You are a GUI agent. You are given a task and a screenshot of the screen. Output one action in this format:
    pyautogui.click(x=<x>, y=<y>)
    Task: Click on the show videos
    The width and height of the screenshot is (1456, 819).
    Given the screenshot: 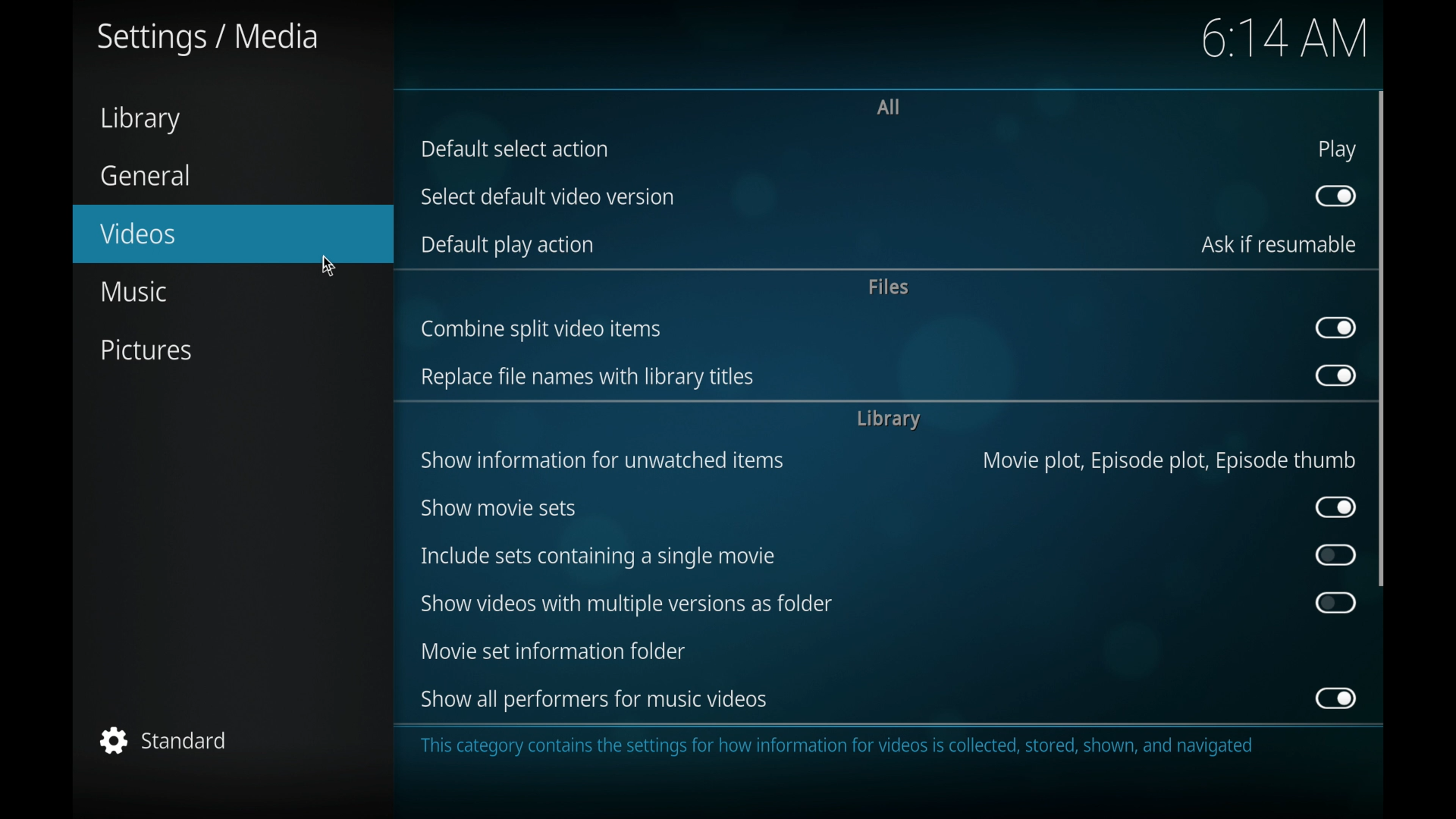 What is the action you would take?
    pyautogui.click(x=626, y=604)
    